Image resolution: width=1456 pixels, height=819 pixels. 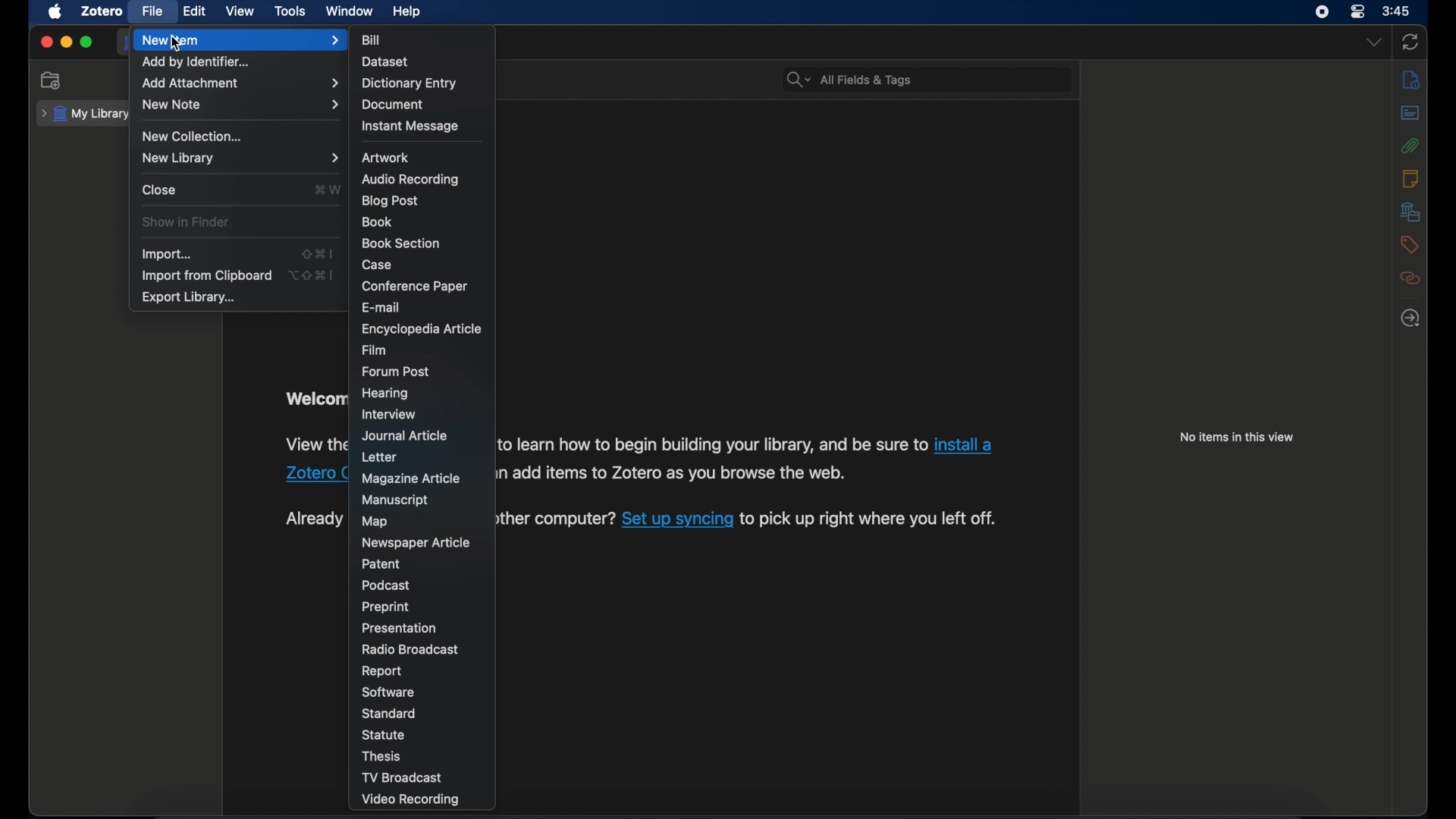 What do you see at coordinates (382, 672) in the screenshot?
I see `report` at bounding box center [382, 672].